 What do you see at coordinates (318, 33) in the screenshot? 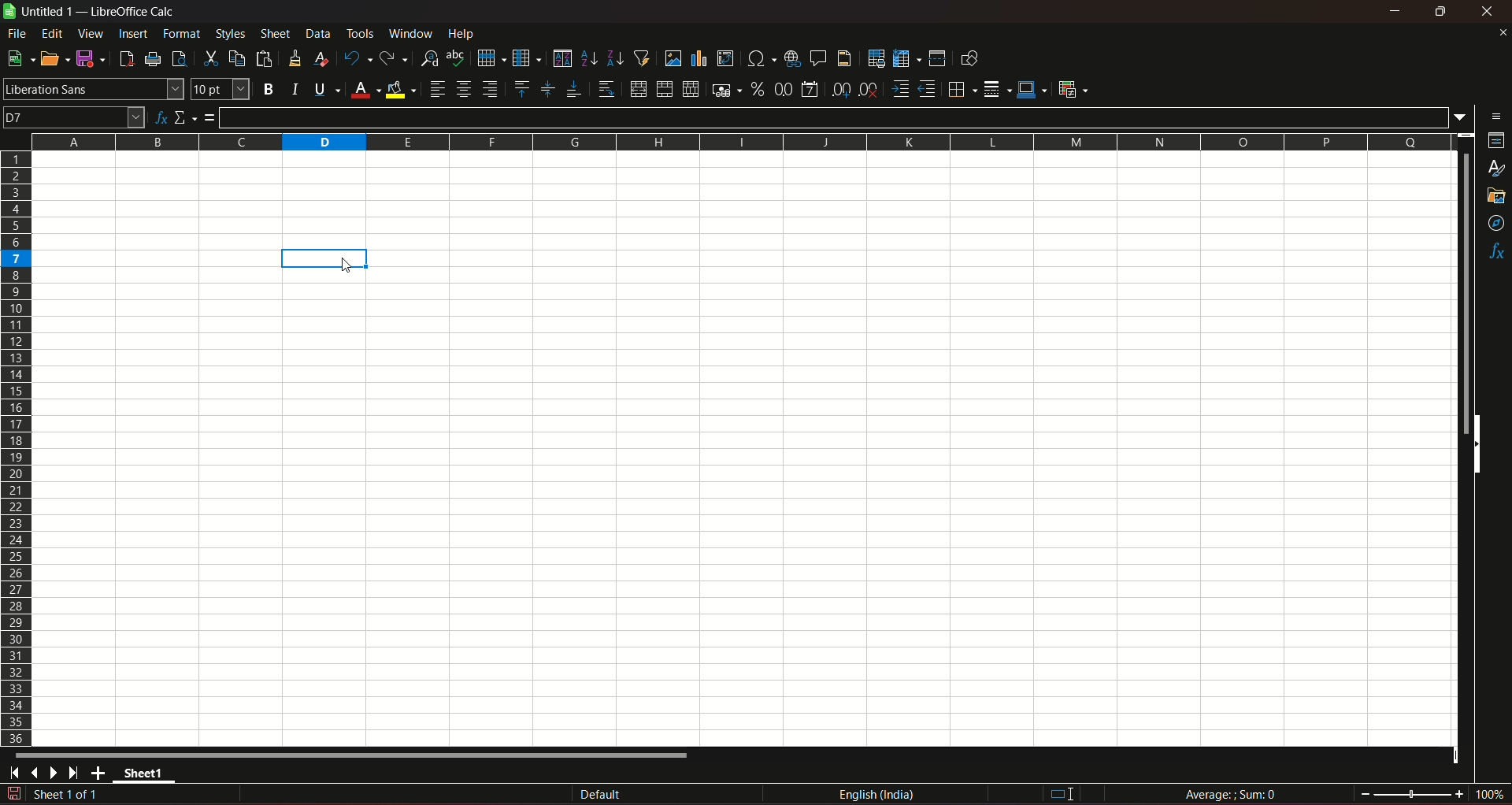
I see `data` at bounding box center [318, 33].